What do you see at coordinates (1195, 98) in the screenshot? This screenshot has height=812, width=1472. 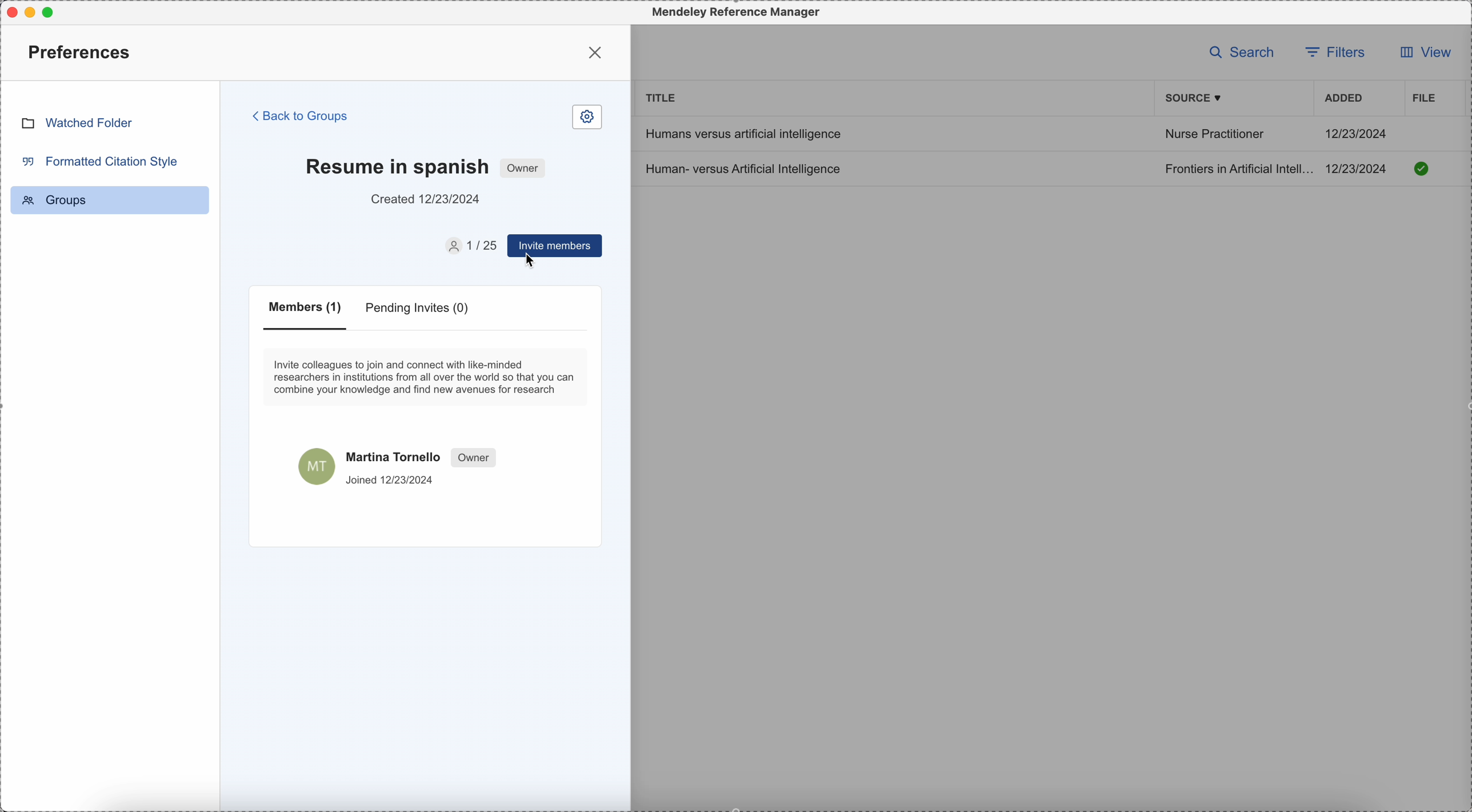 I see `source` at bounding box center [1195, 98].